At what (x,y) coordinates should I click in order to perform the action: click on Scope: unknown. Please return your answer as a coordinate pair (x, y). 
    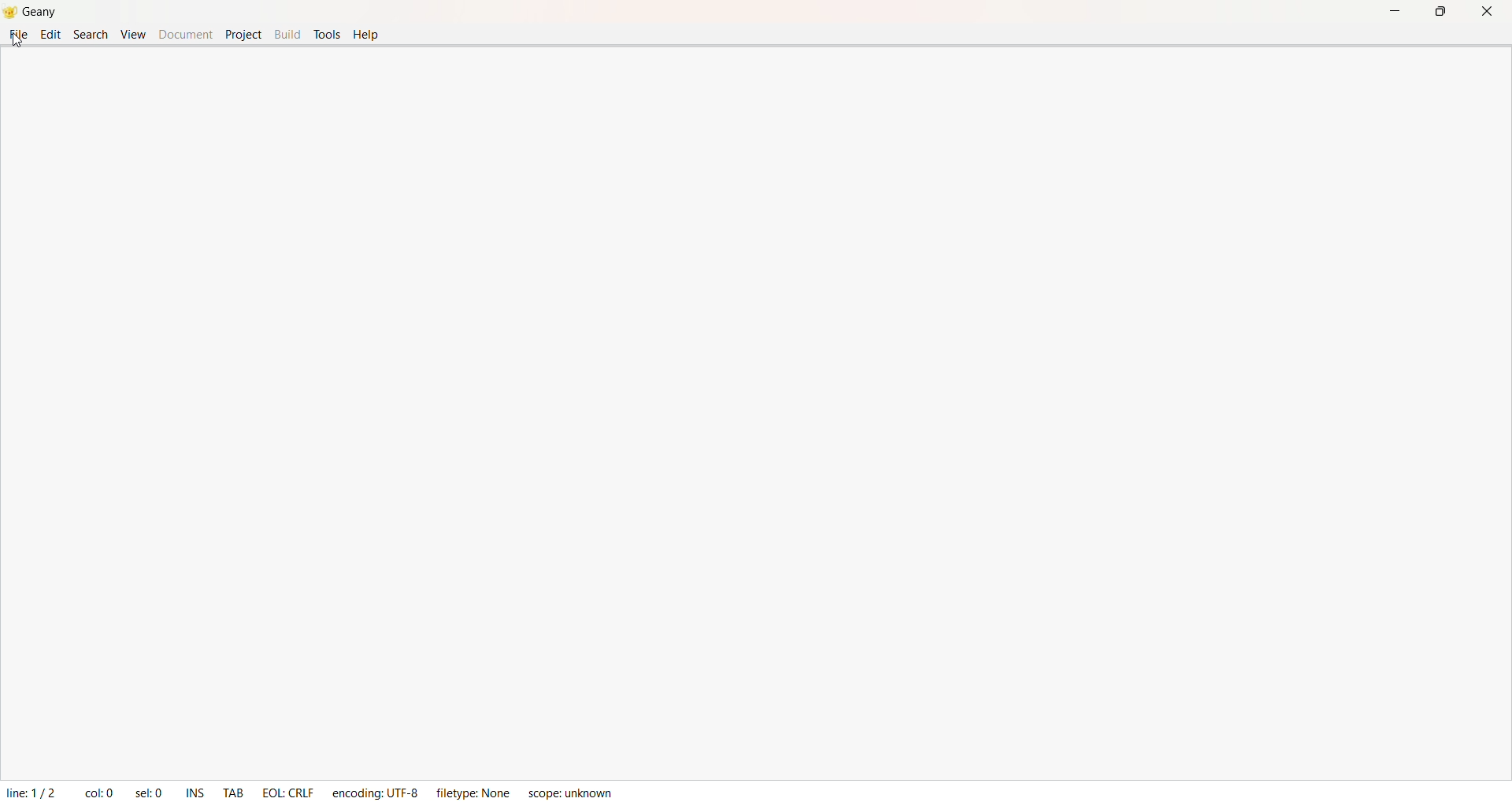
    Looking at the image, I should click on (569, 794).